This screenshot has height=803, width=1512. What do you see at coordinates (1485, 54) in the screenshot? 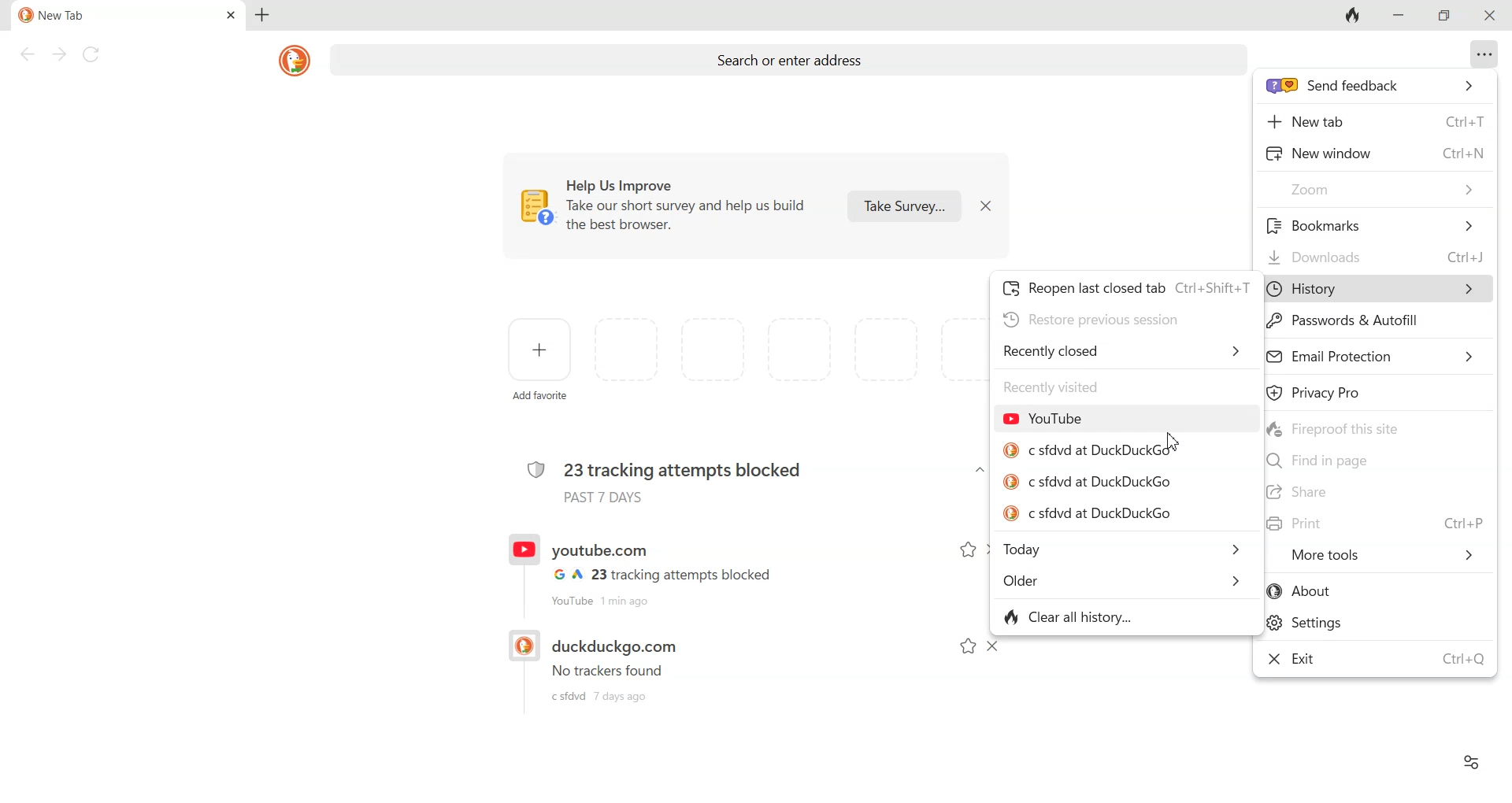
I see `Overflow menu` at bounding box center [1485, 54].